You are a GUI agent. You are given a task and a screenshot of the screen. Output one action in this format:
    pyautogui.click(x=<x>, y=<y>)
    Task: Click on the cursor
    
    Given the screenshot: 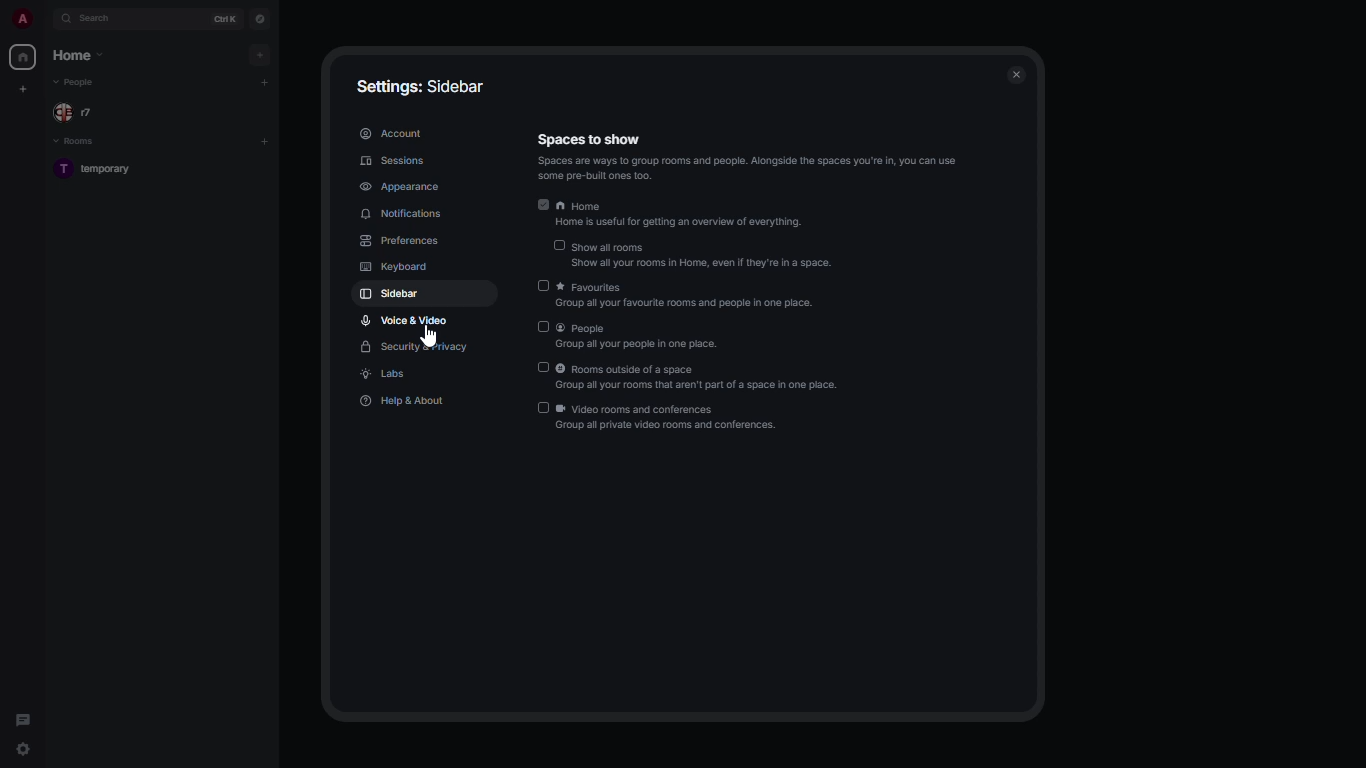 What is the action you would take?
    pyautogui.click(x=428, y=335)
    